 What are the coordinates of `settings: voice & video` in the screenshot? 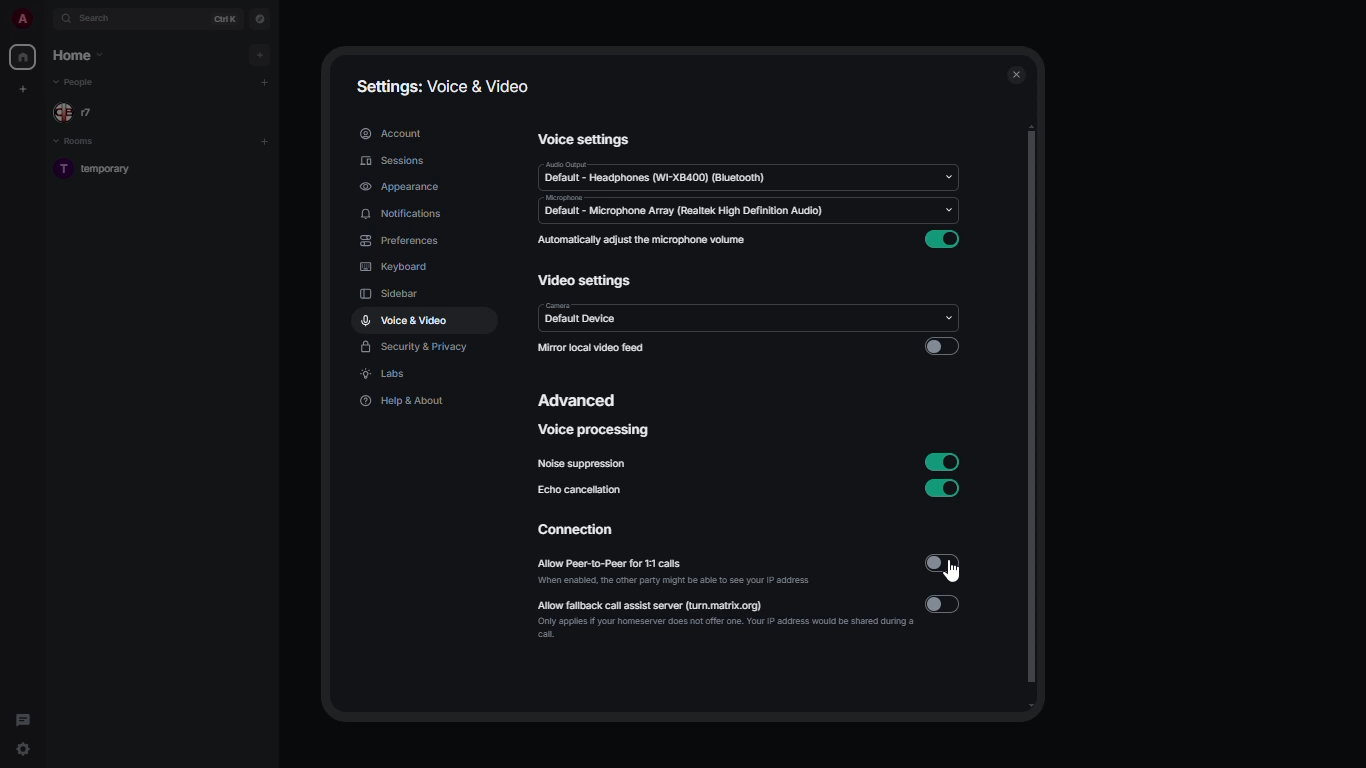 It's located at (447, 87).